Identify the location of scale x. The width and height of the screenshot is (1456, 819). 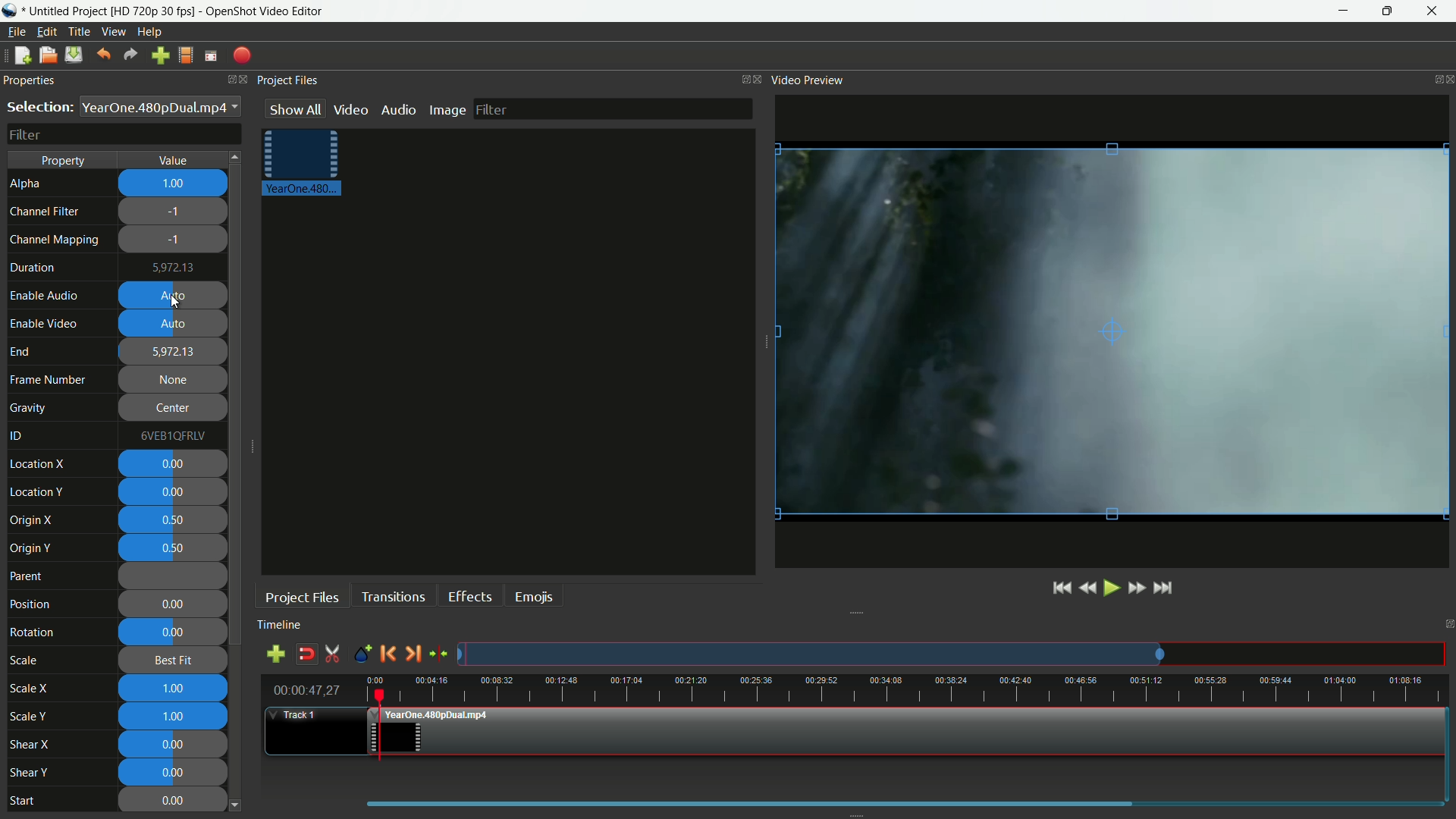
(29, 689).